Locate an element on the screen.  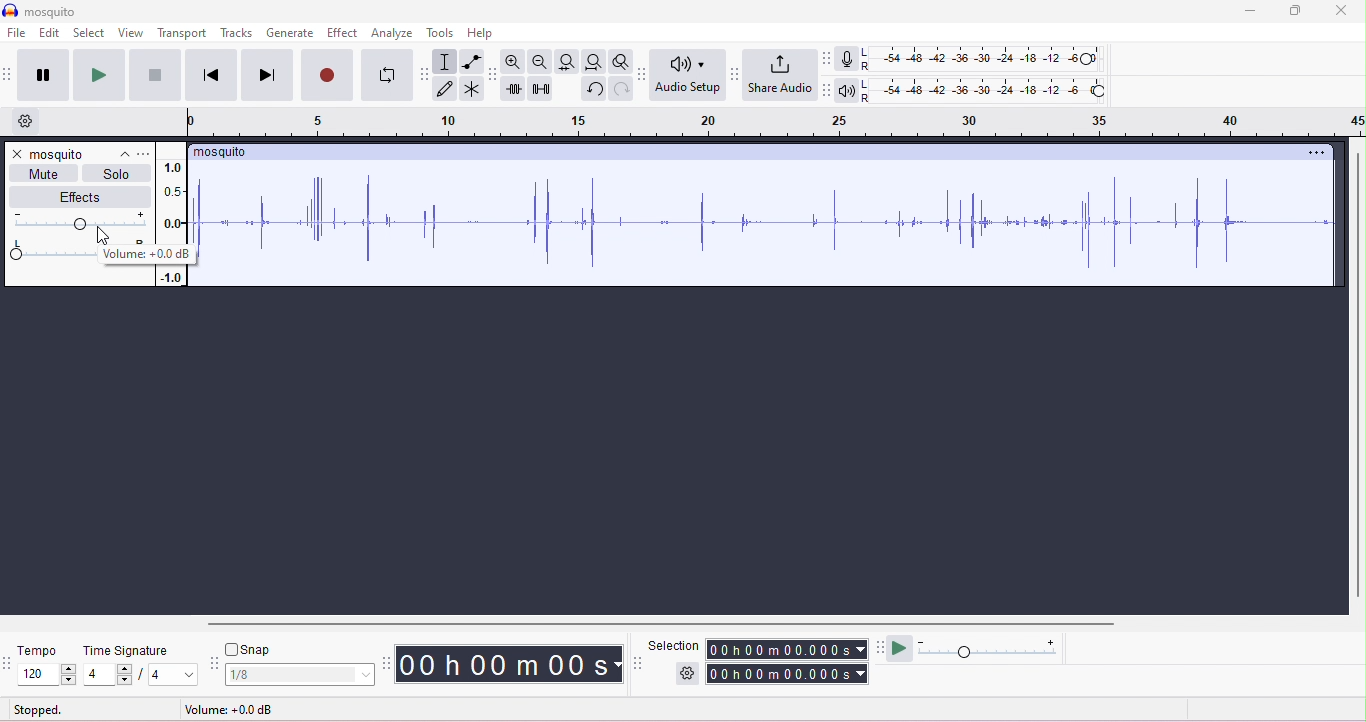
amplitude is located at coordinates (170, 277).